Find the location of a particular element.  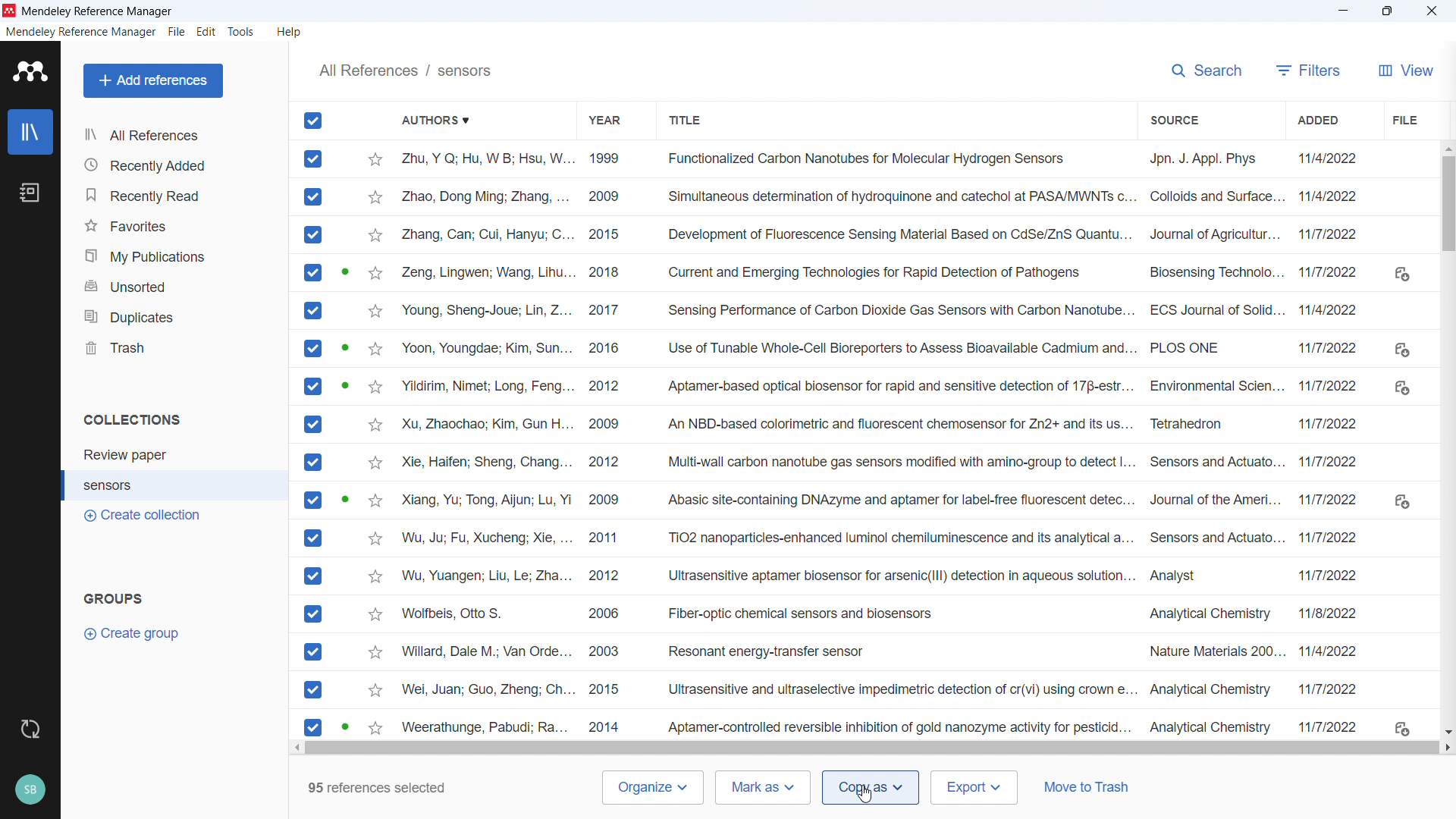

Export  is located at coordinates (975, 788).